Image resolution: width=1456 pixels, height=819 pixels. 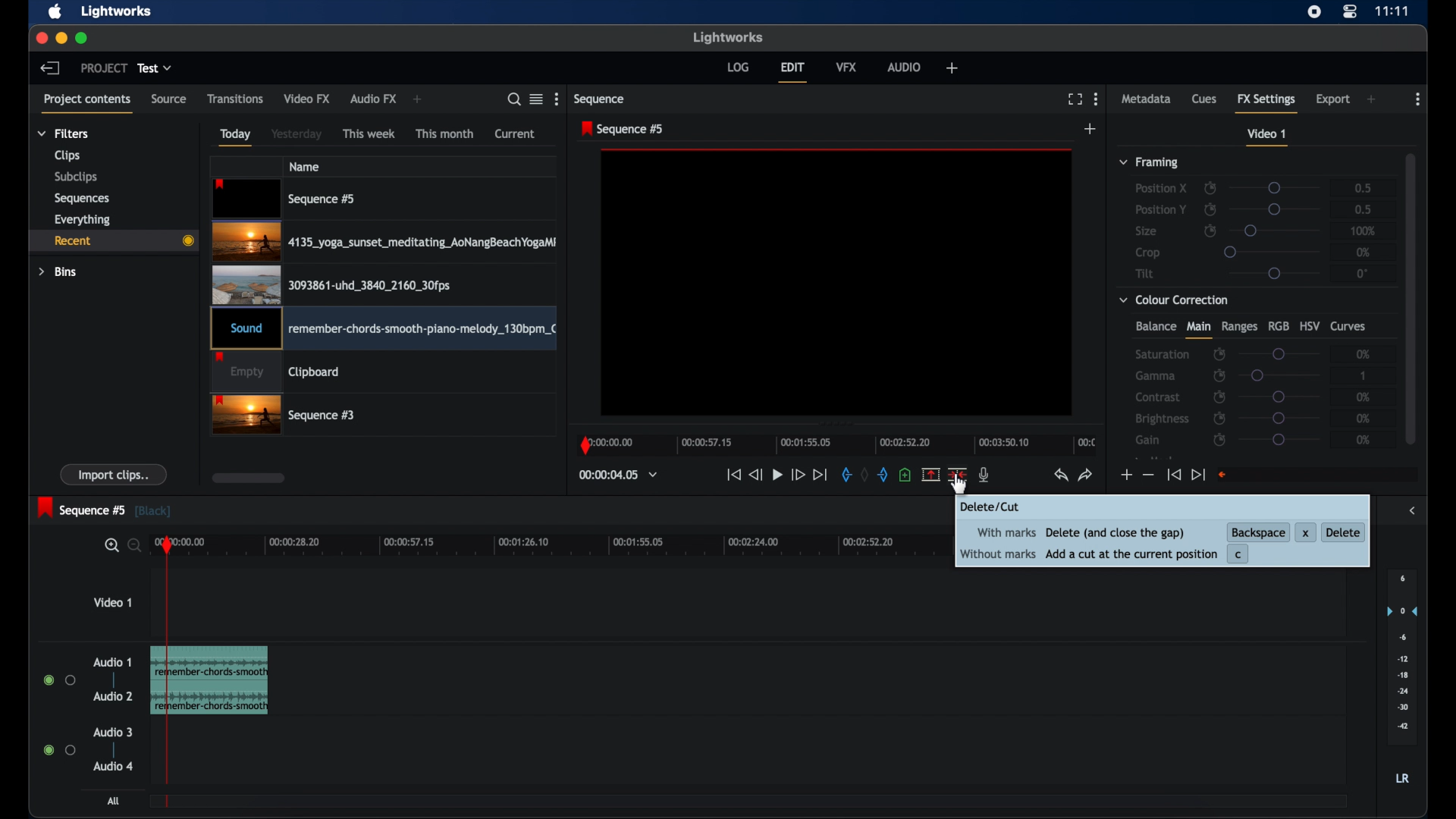 What do you see at coordinates (83, 198) in the screenshot?
I see `sequences` at bounding box center [83, 198].